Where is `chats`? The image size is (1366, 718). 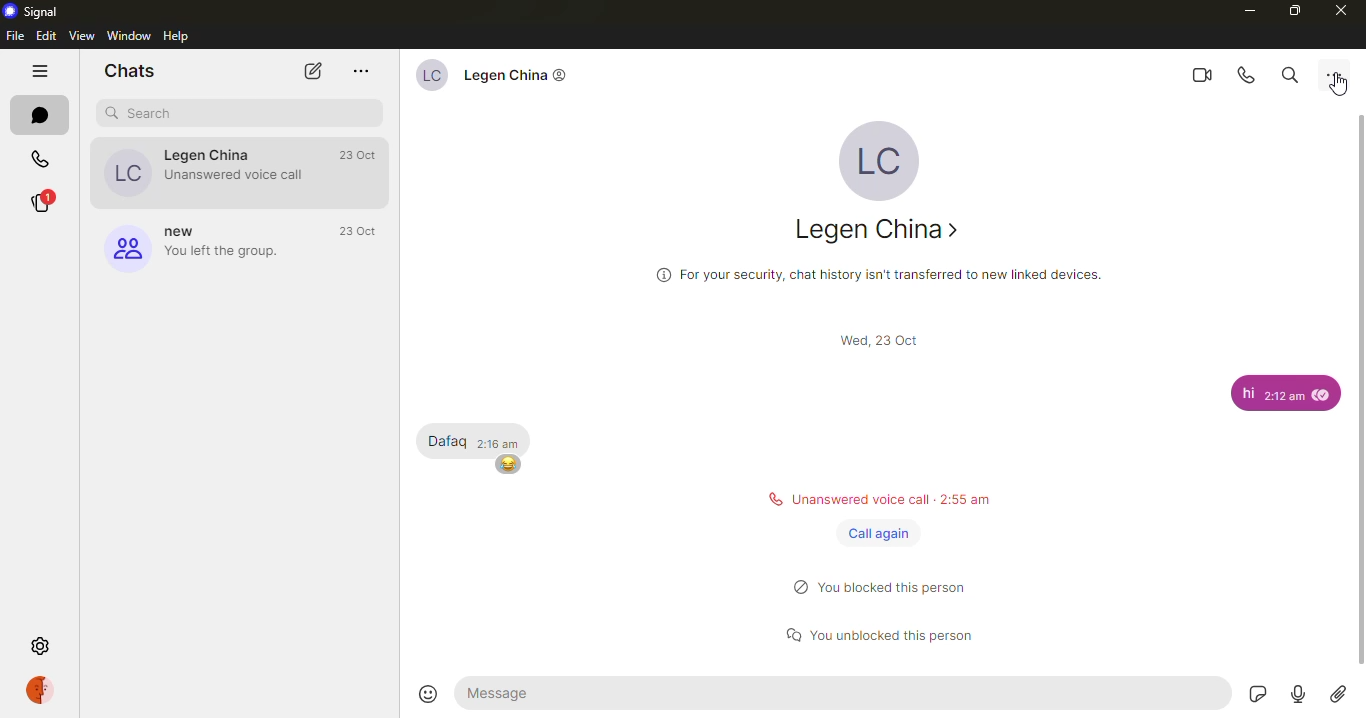
chats is located at coordinates (40, 115).